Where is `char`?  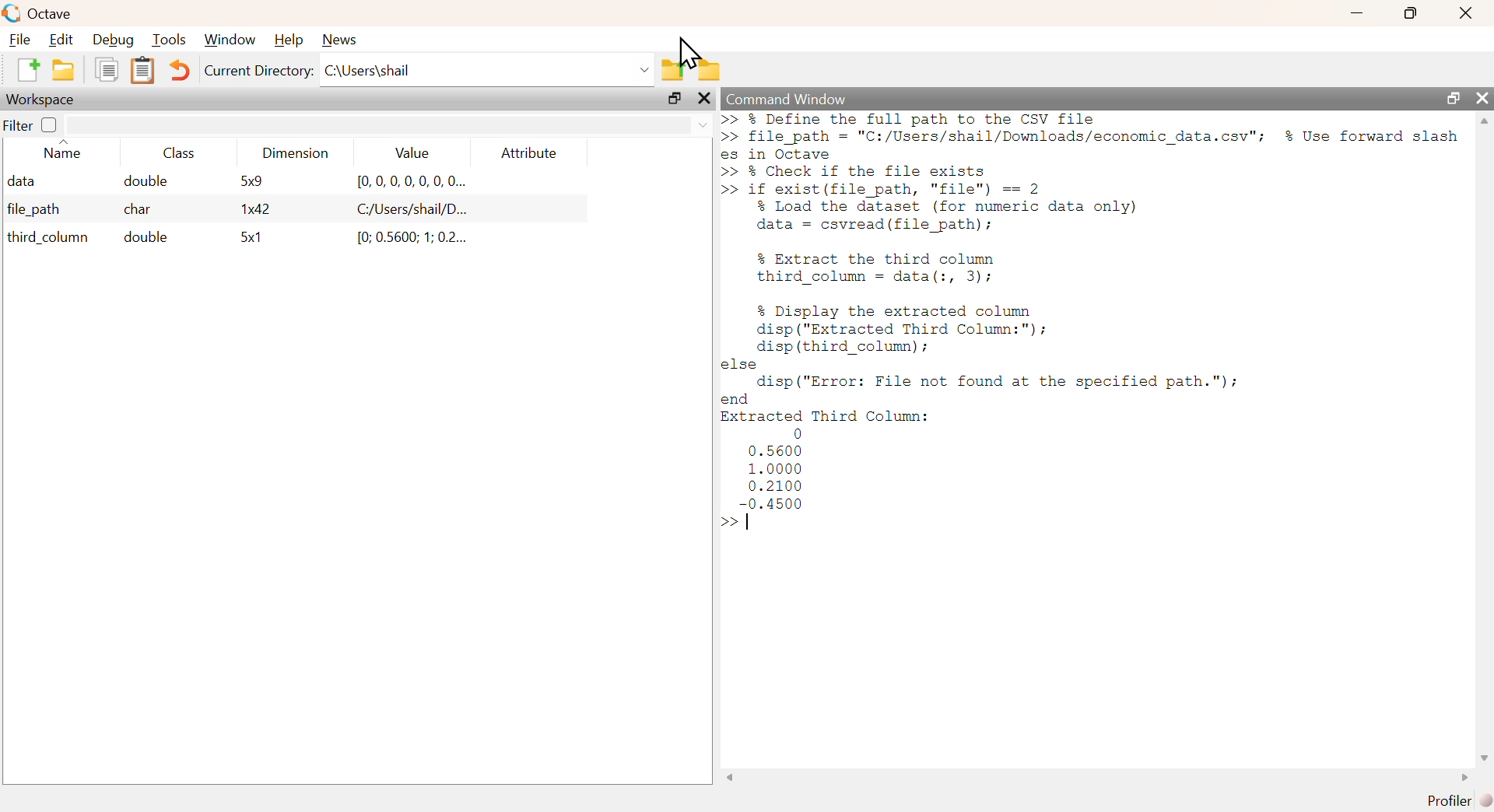
char is located at coordinates (141, 211).